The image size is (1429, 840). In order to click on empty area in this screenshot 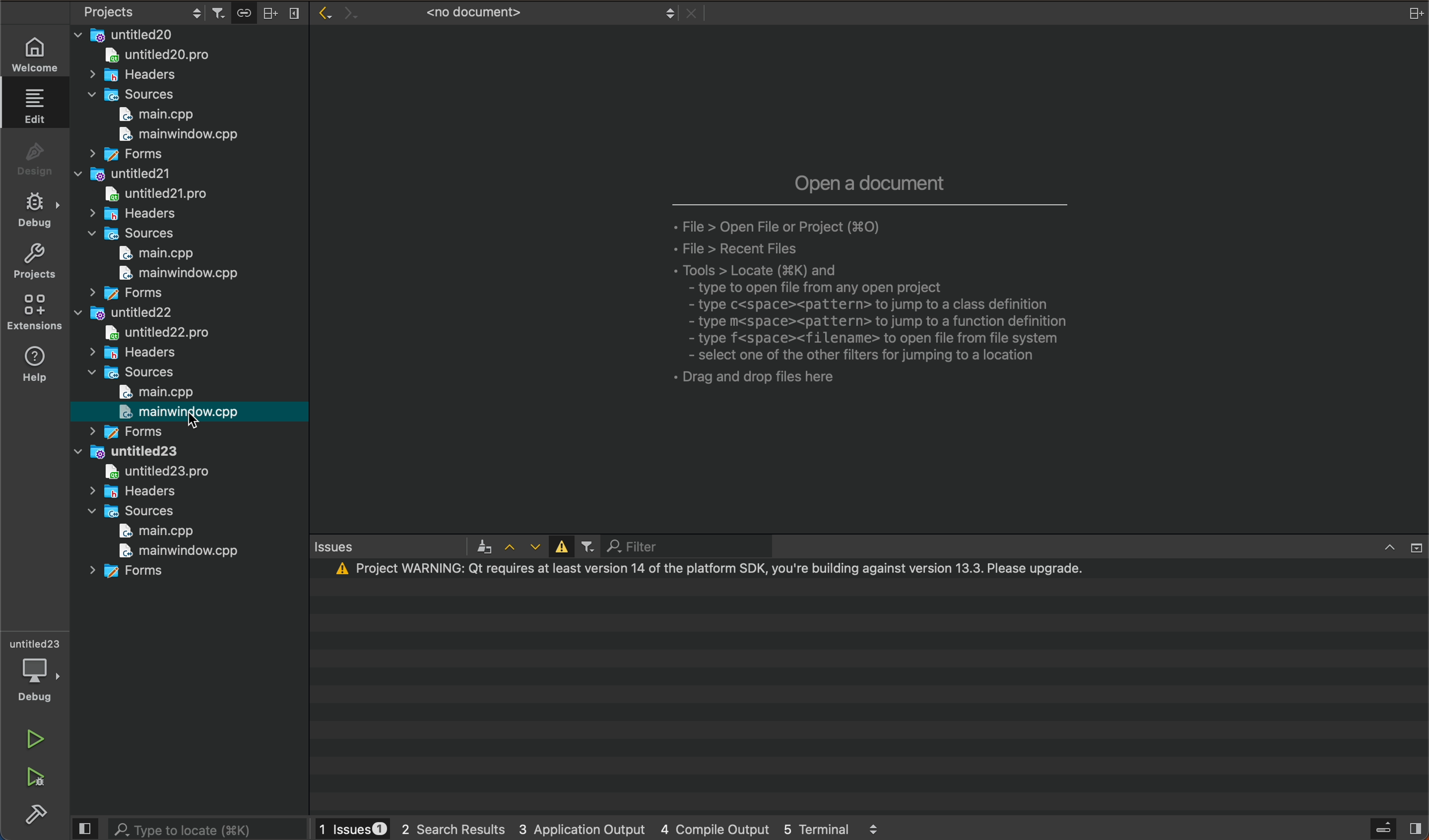, I will do `click(869, 282)`.